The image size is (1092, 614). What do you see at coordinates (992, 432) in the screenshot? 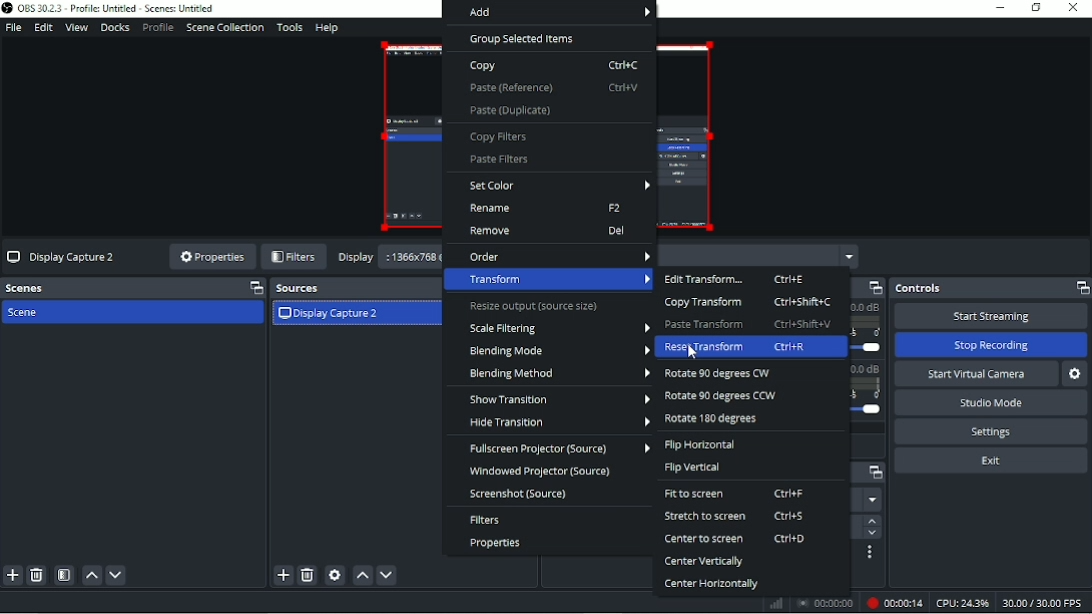
I see `Settings` at bounding box center [992, 432].